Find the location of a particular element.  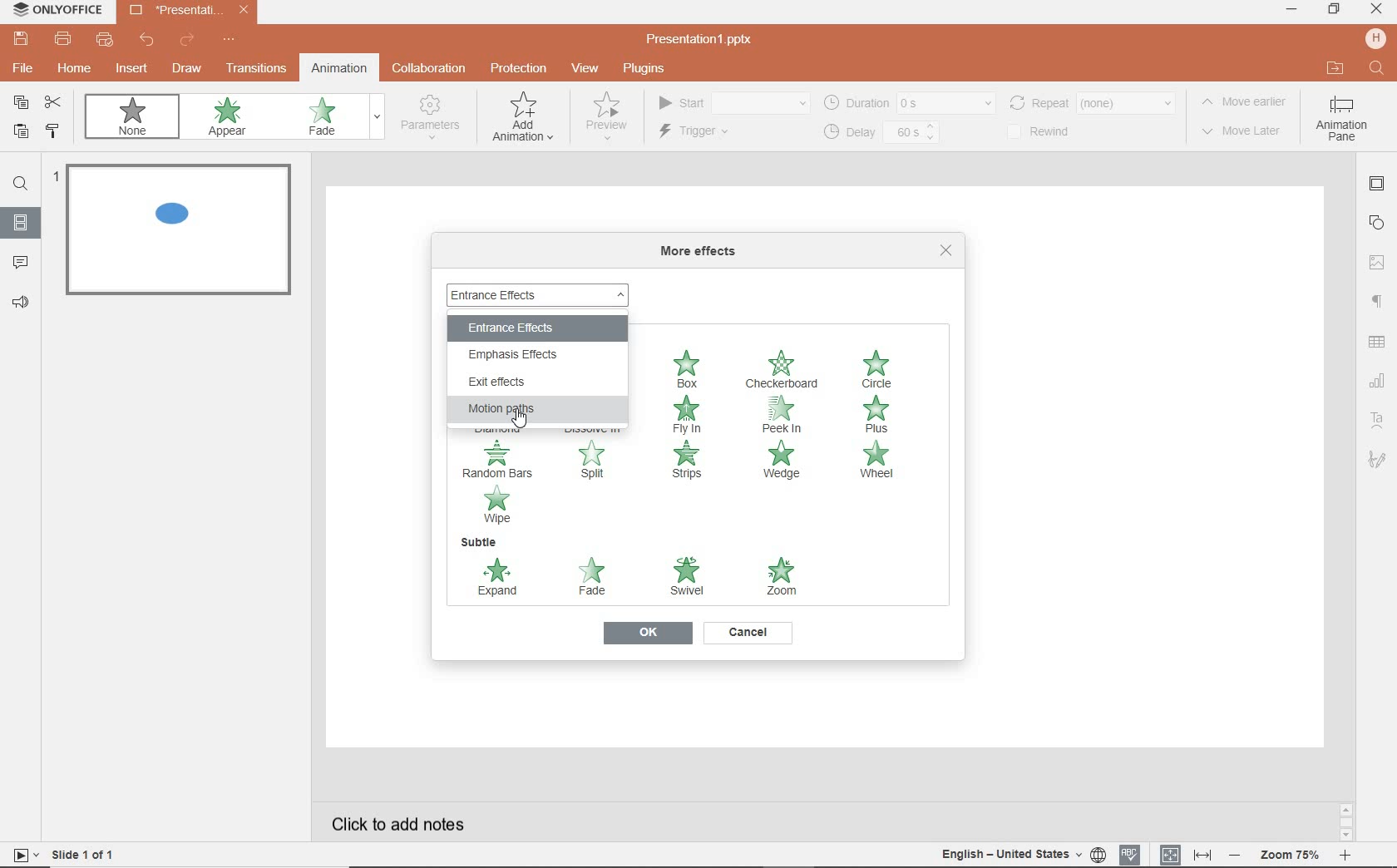

MOTION PATHS is located at coordinates (530, 409).